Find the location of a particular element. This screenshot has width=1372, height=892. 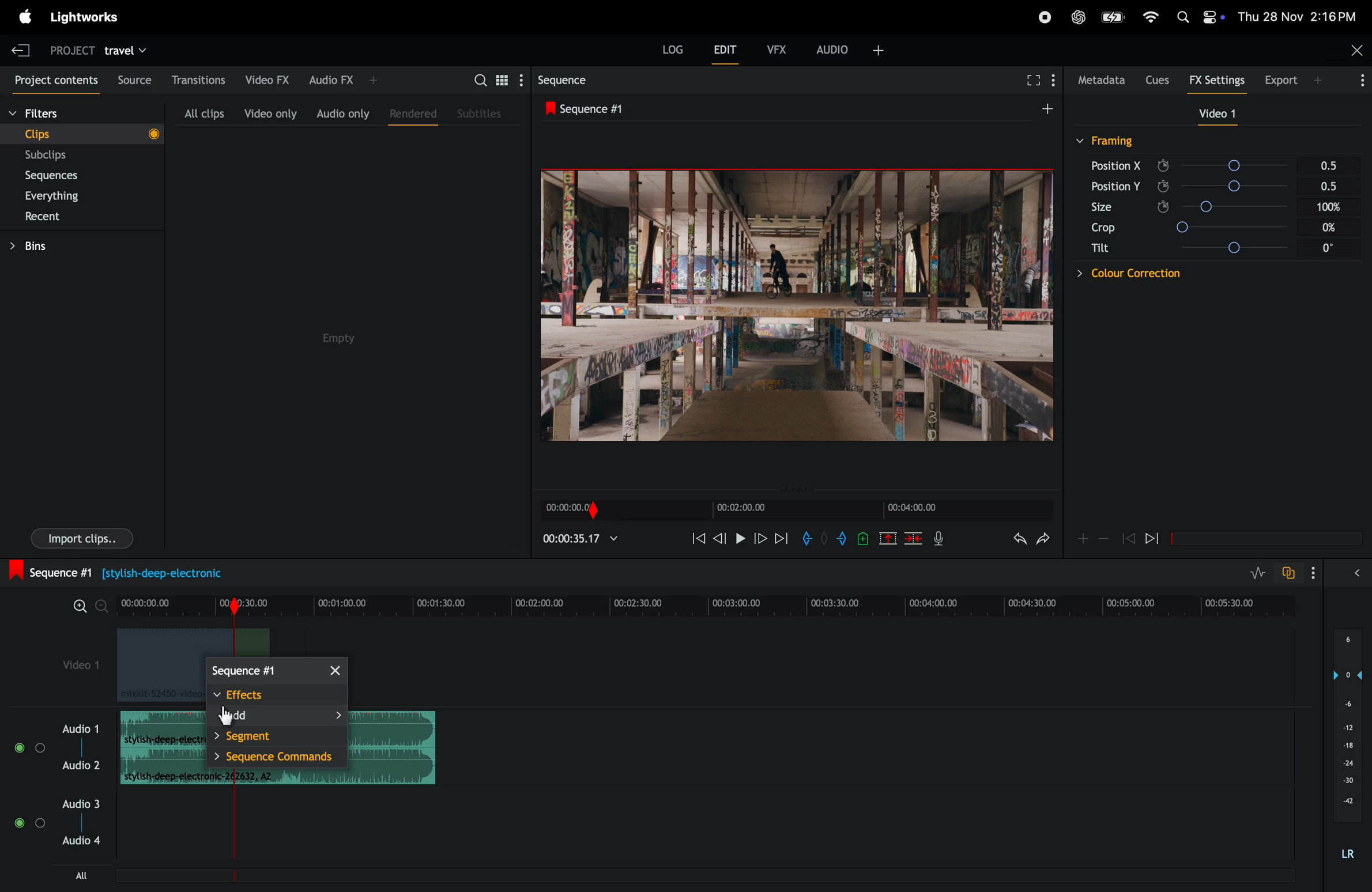

clips is located at coordinates (82, 133).